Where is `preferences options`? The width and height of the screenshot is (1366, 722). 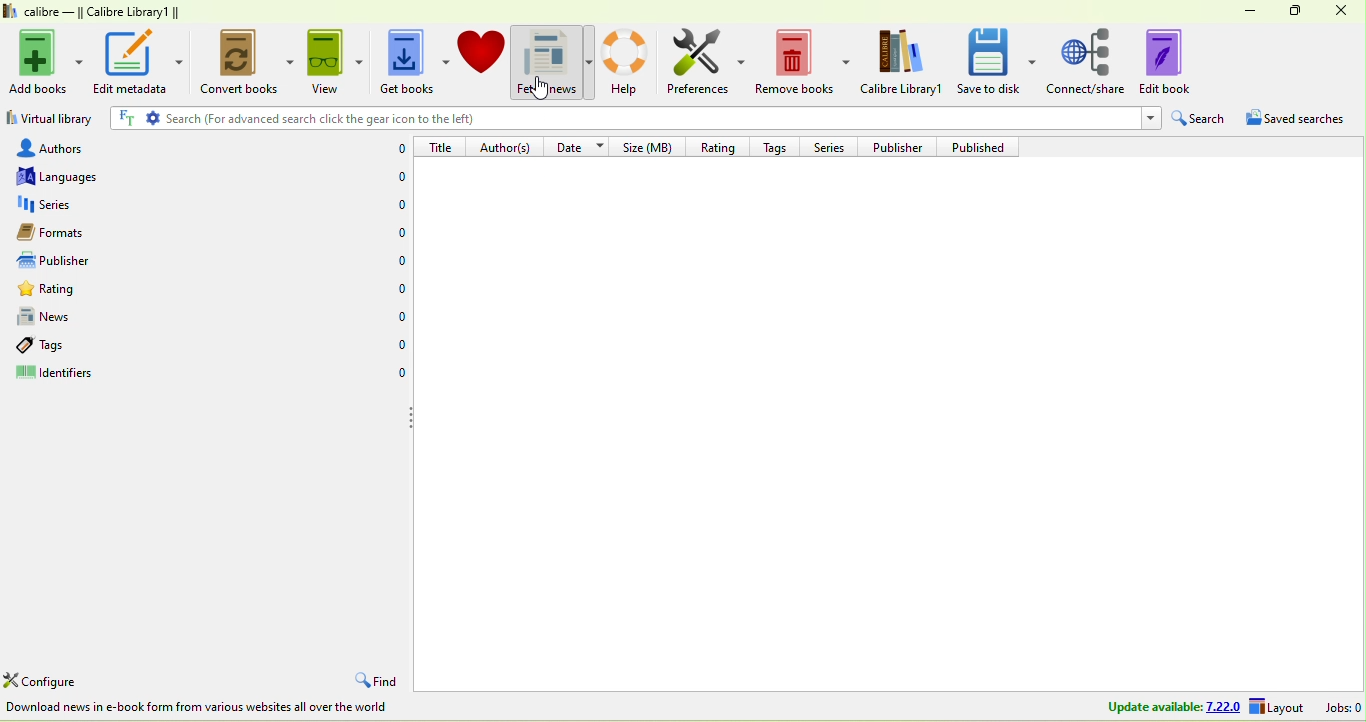 preferences options is located at coordinates (743, 61).